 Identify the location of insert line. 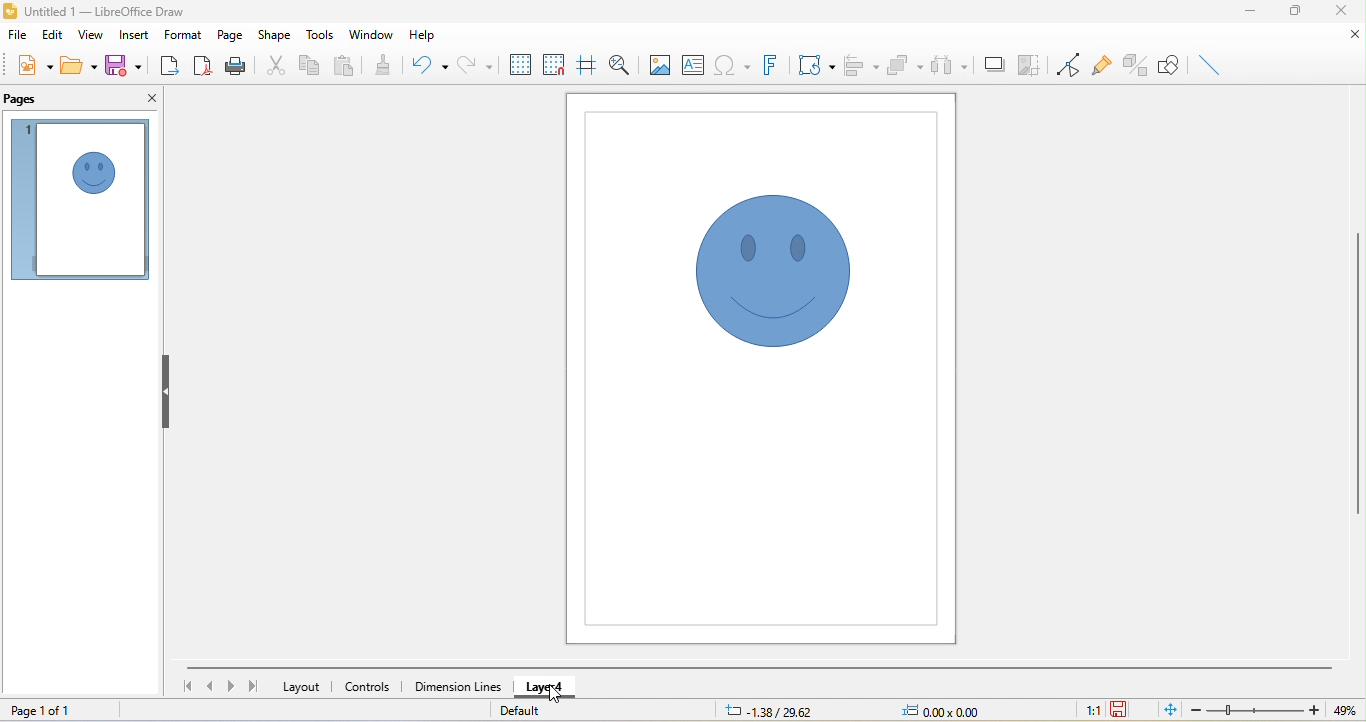
(1213, 63).